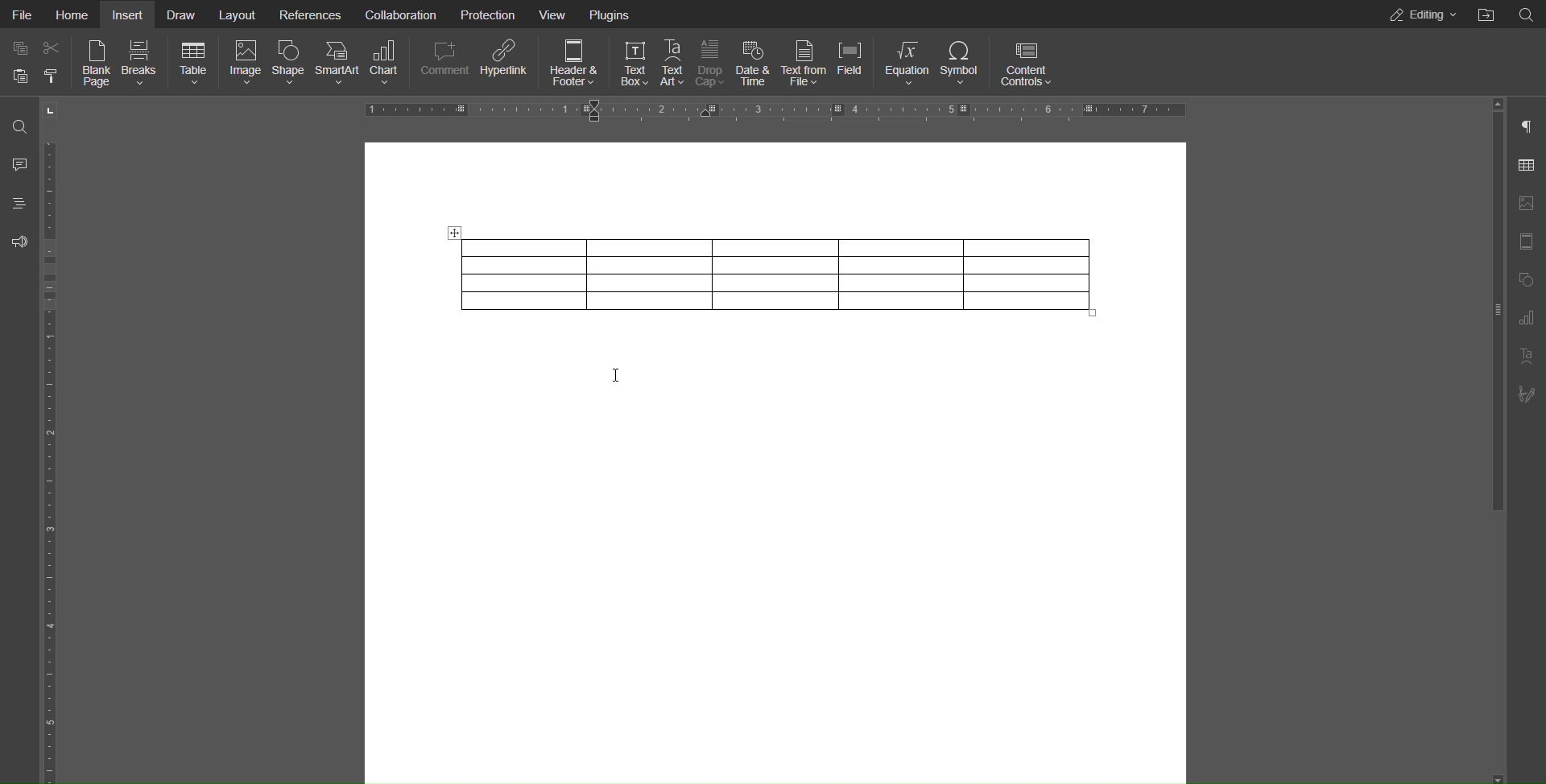 This screenshot has width=1546, height=784. What do you see at coordinates (73, 14) in the screenshot?
I see `Home` at bounding box center [73, 14].